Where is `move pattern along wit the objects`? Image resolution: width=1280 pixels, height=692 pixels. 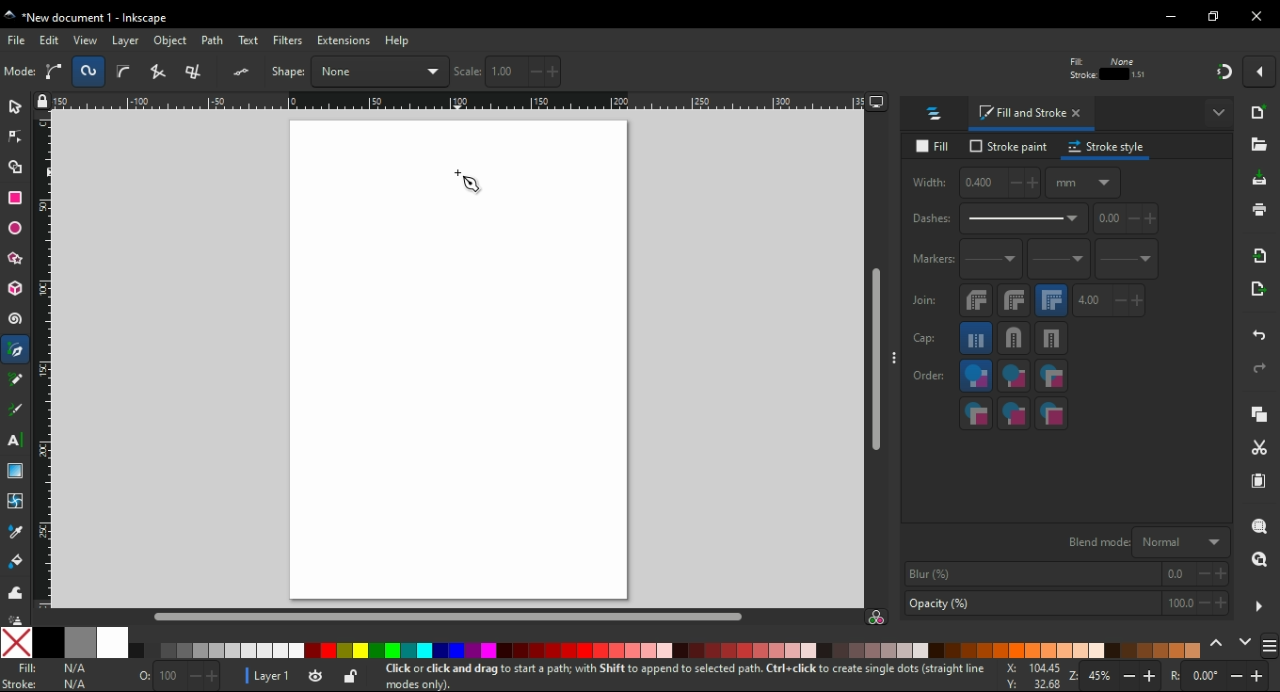
move pattern along wit the objects is located at coordinates (1175, 71).